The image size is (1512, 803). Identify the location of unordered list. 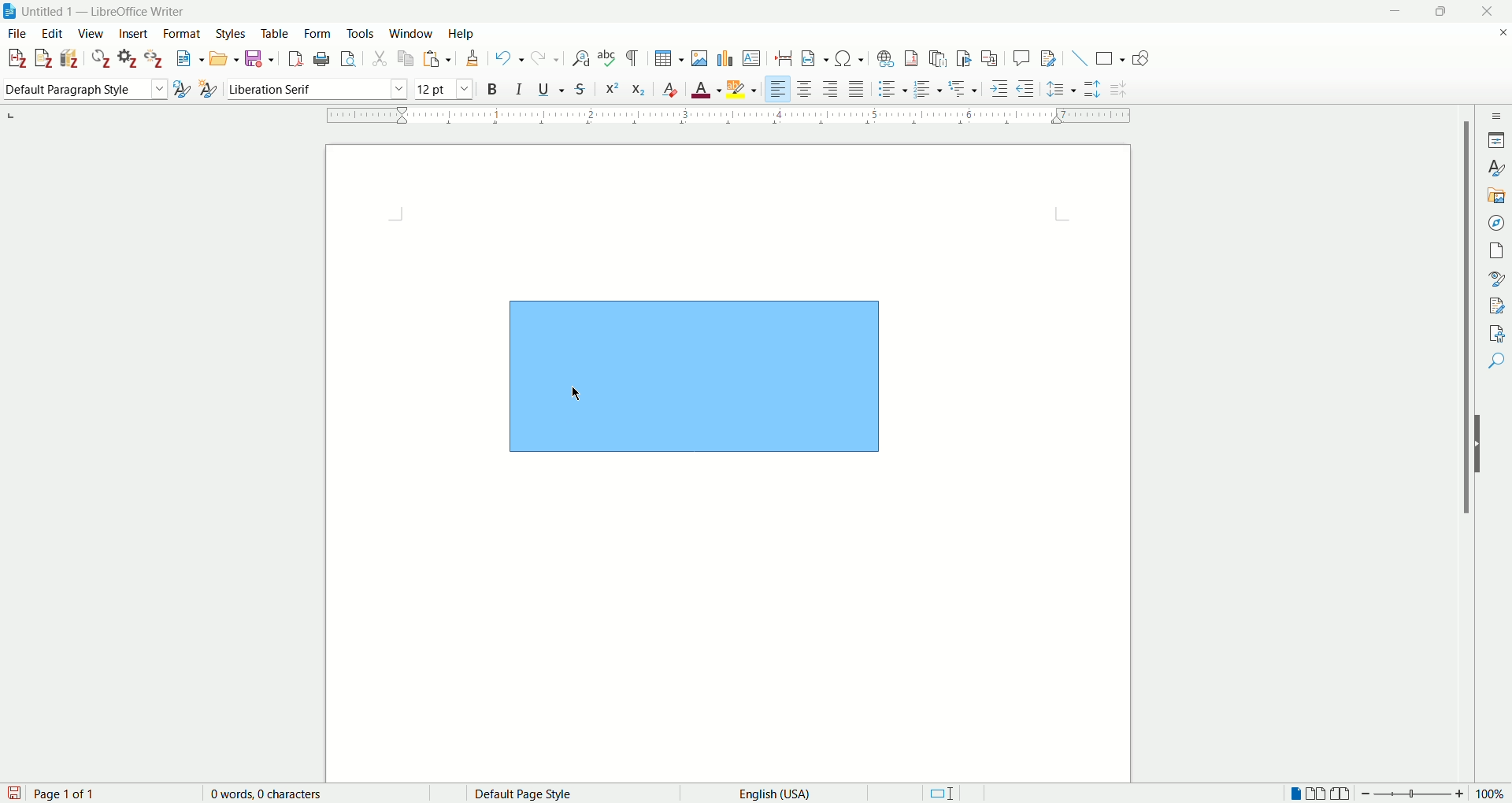
(893, 87).